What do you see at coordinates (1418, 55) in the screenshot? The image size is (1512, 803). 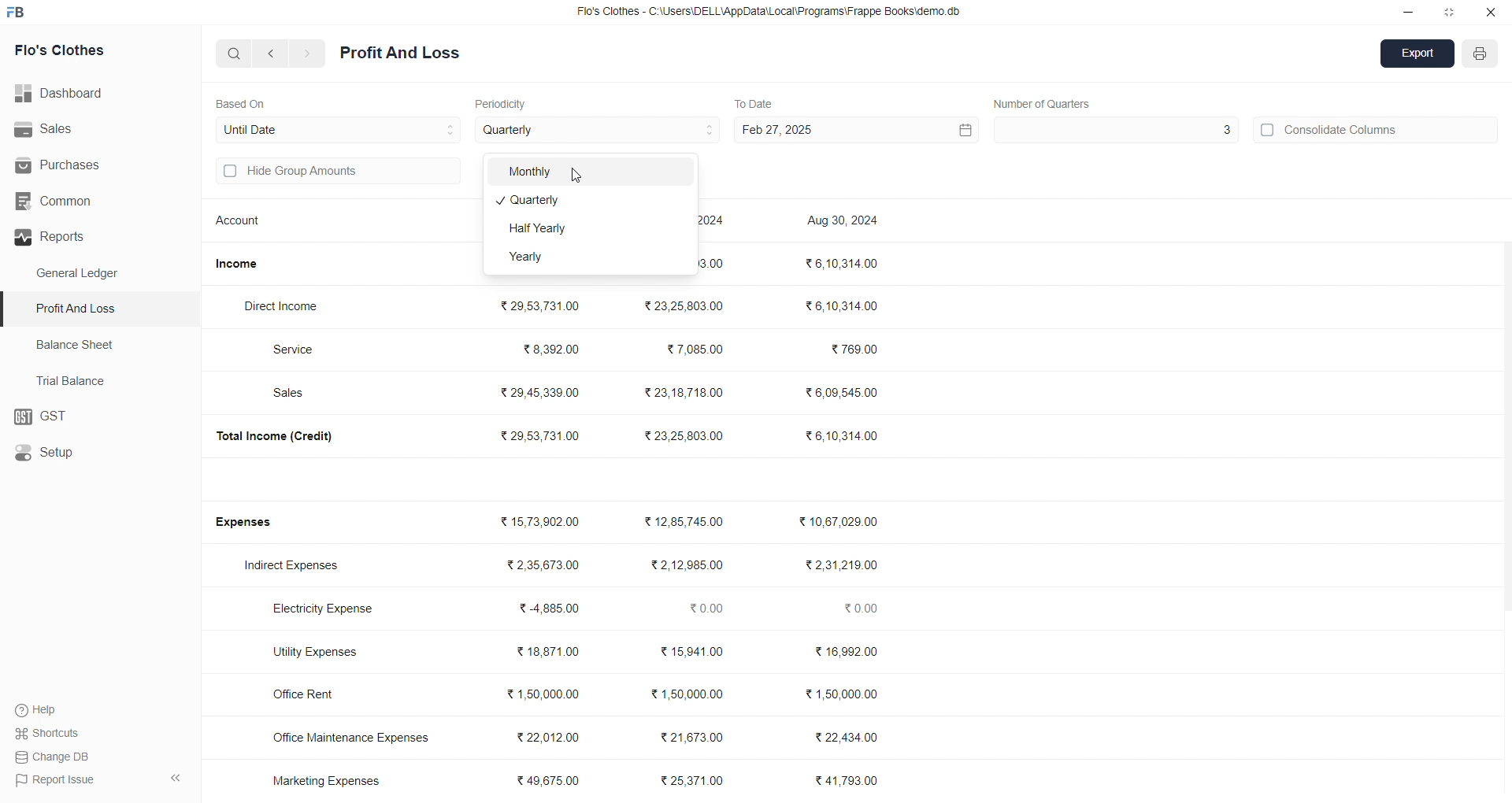 I see `Export` at bounding box center [1418, 55].